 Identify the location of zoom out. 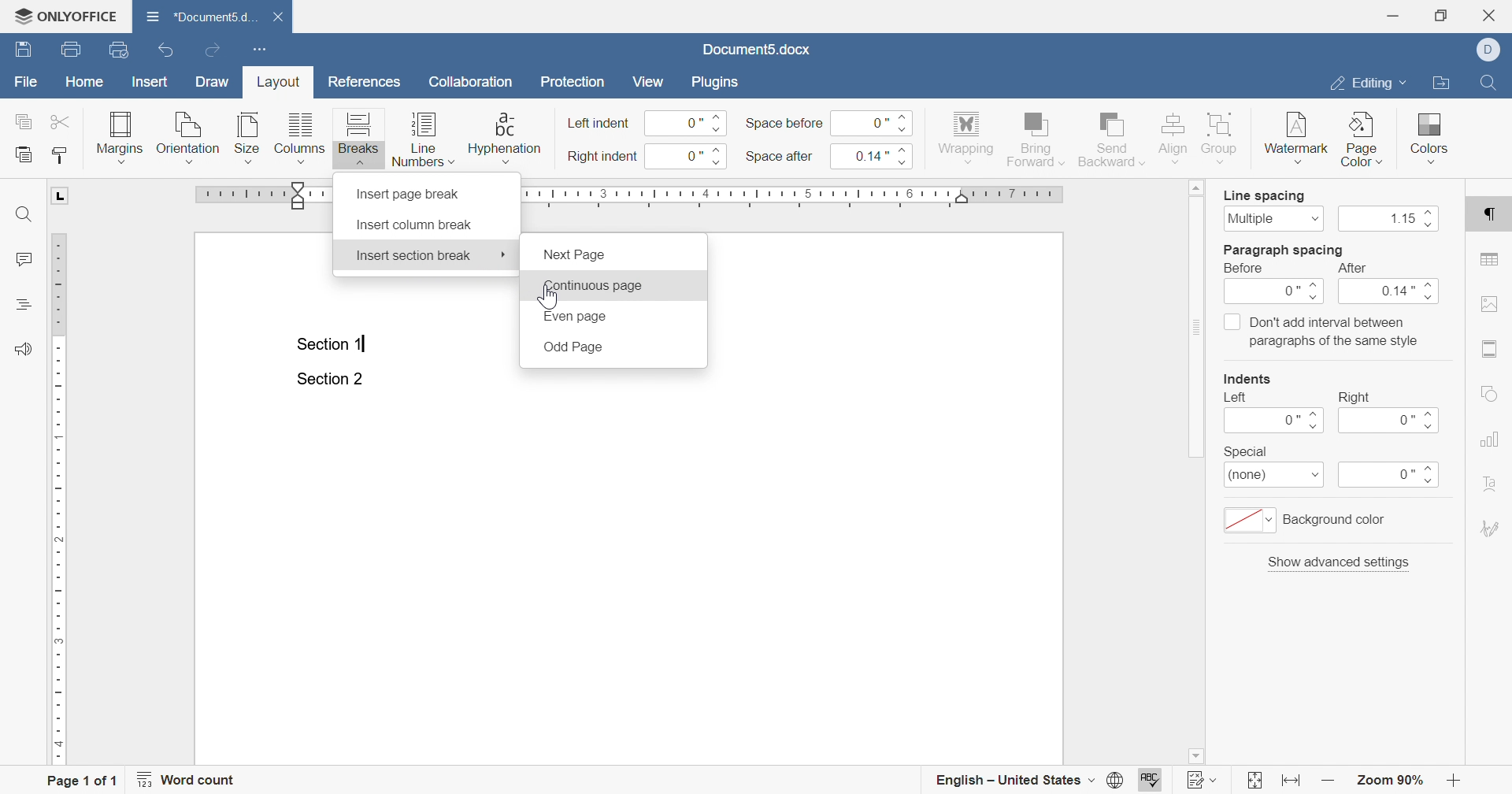
(1456, 780).